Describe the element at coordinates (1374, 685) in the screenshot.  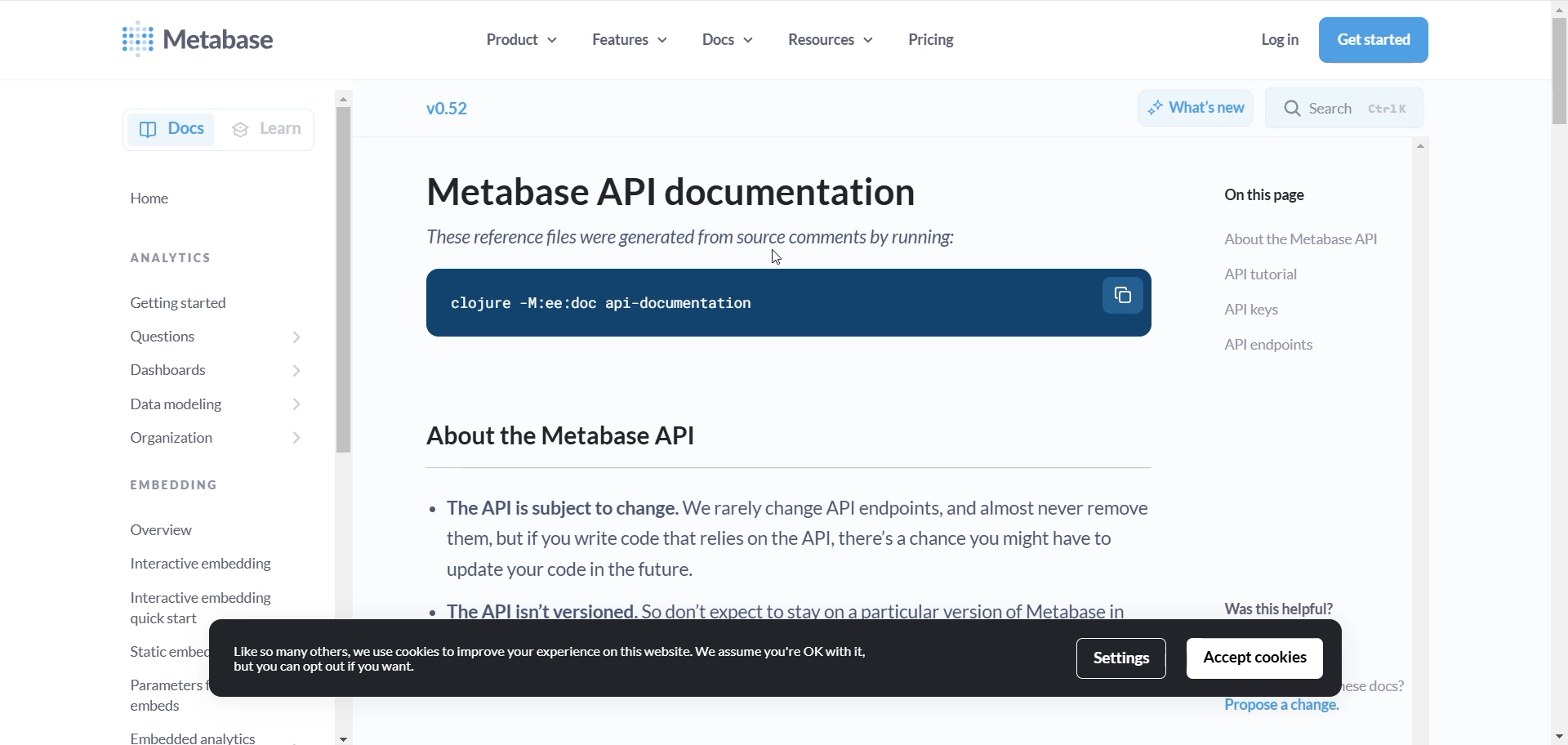
I see `link` at that location.